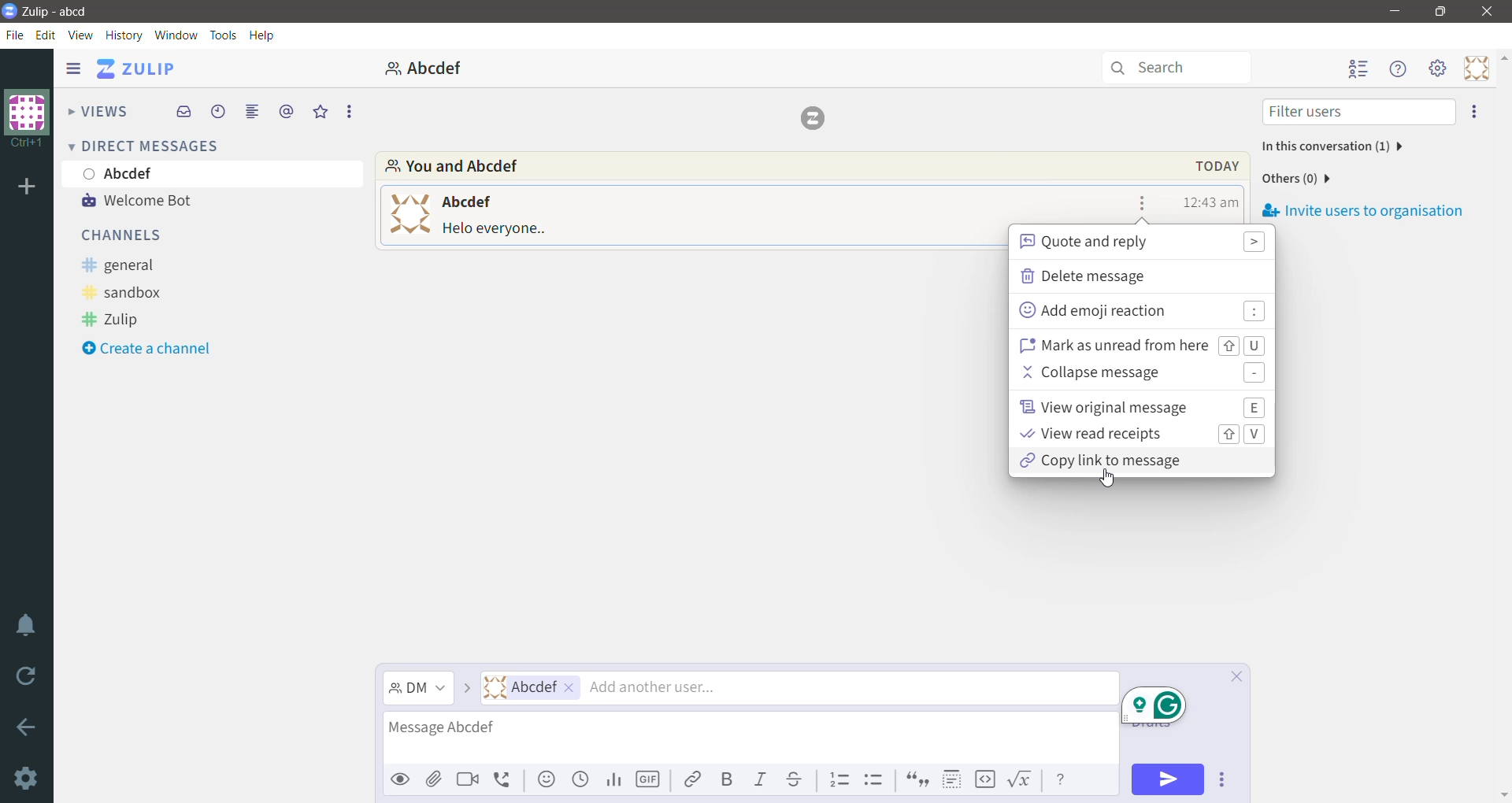 Image resolution: width=1512 pixels, height=803 pixels. What do you see at coordinates (800, 688) in the screenshot?
I see `Users` at bounding box center [800, 688].